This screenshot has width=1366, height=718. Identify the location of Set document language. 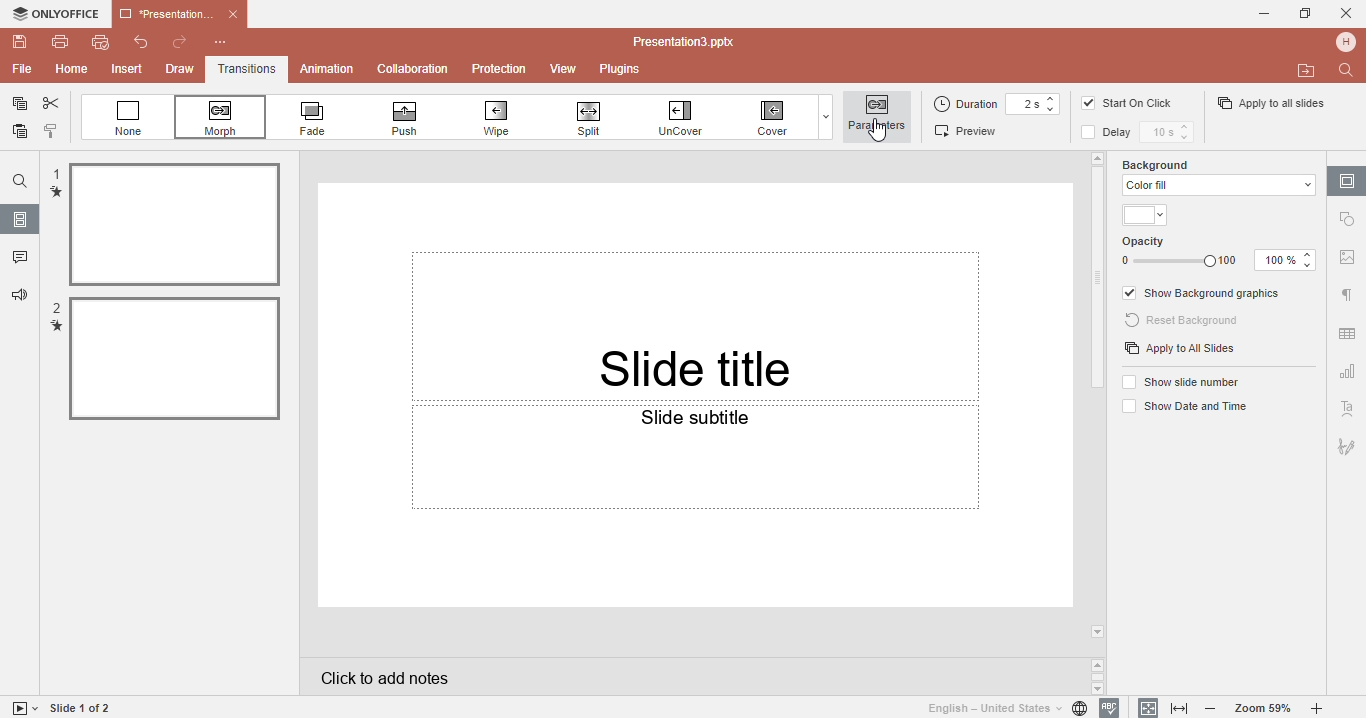
(1006, 708).